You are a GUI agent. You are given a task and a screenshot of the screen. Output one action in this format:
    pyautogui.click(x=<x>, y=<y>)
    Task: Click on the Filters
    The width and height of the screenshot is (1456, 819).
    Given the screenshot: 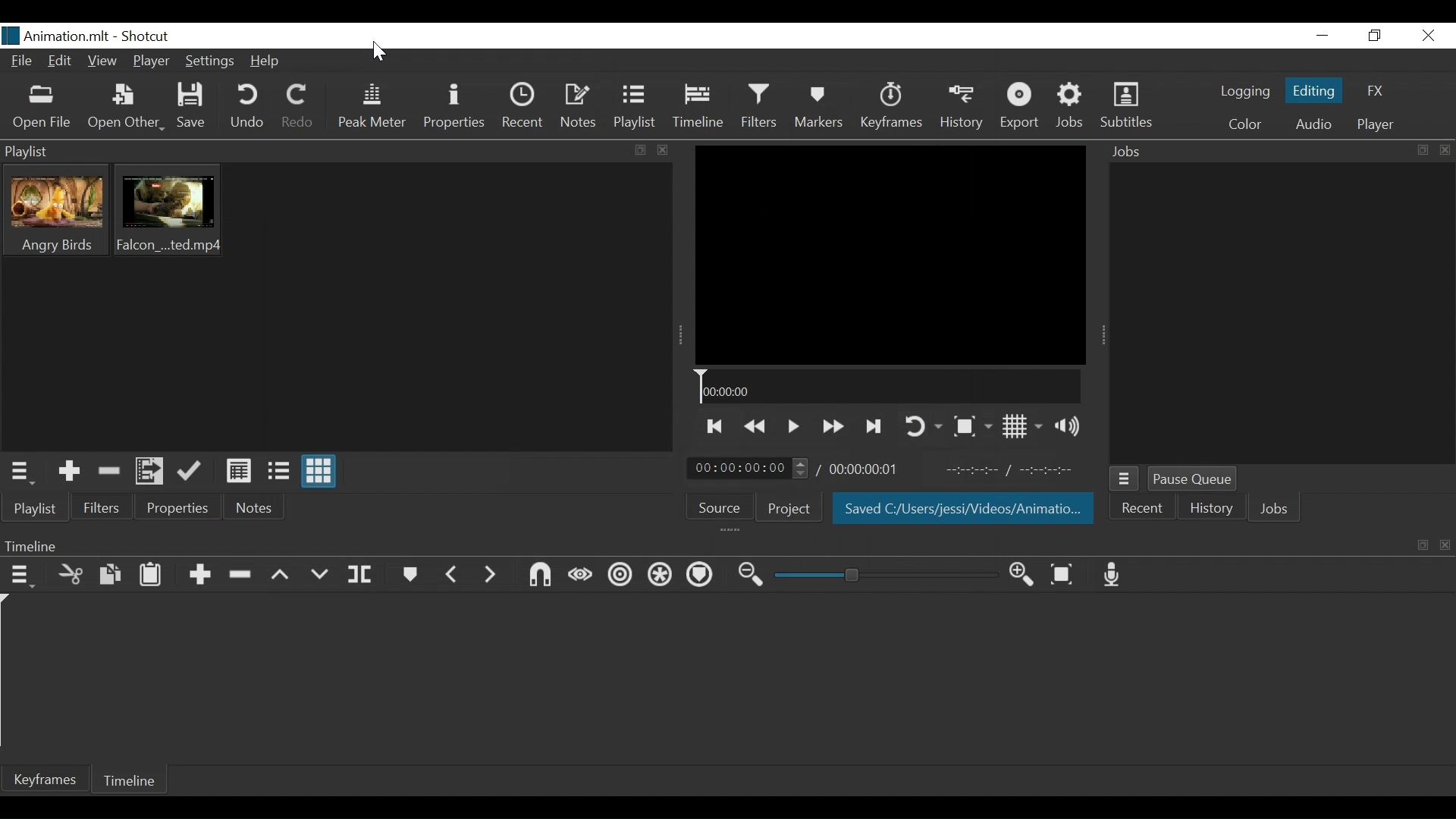 What is the action you would take?
    pyautogui.click(x=102, y=509)
    